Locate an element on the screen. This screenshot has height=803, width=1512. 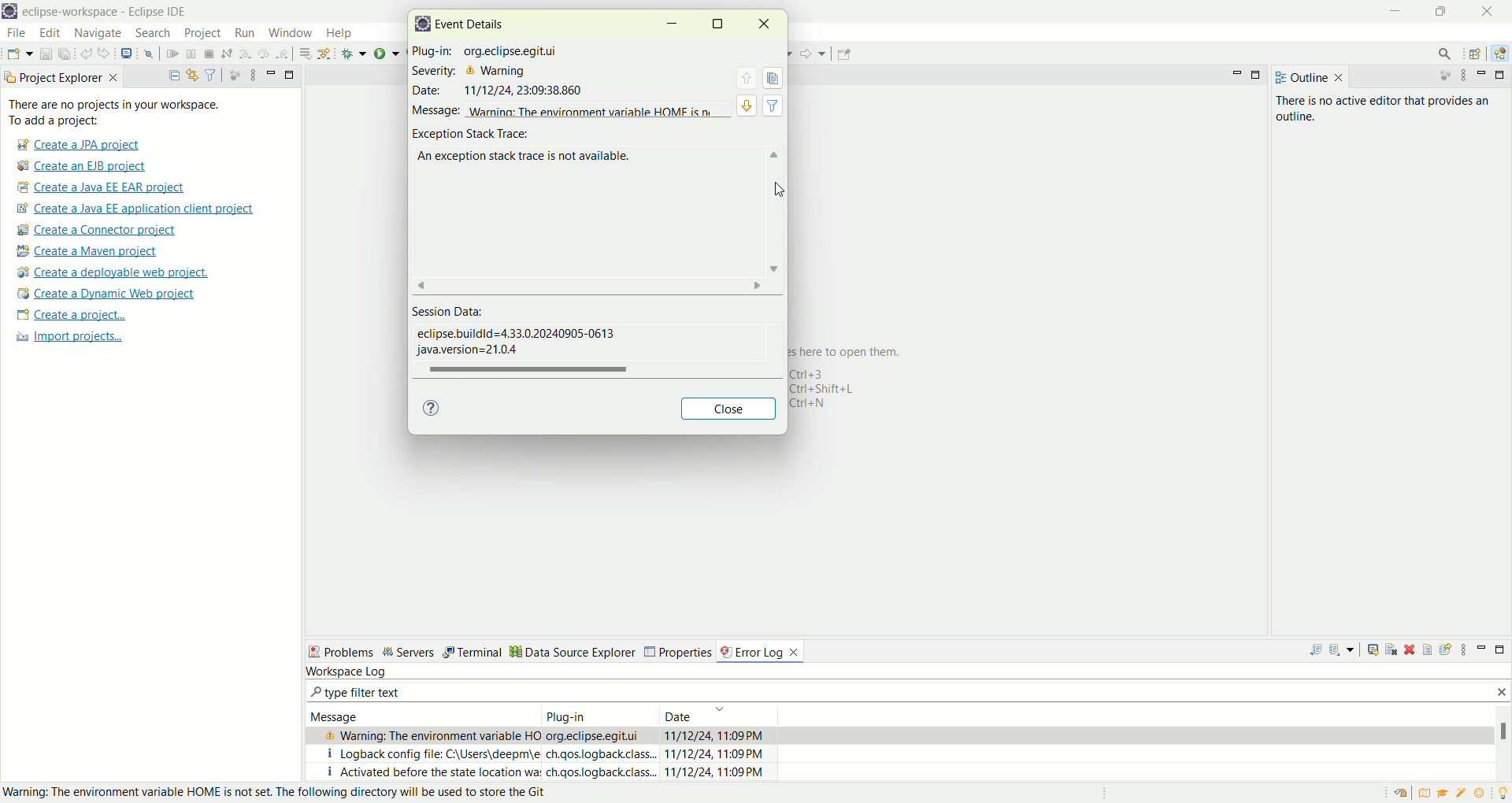
step into is located at coordinates (243, 54).